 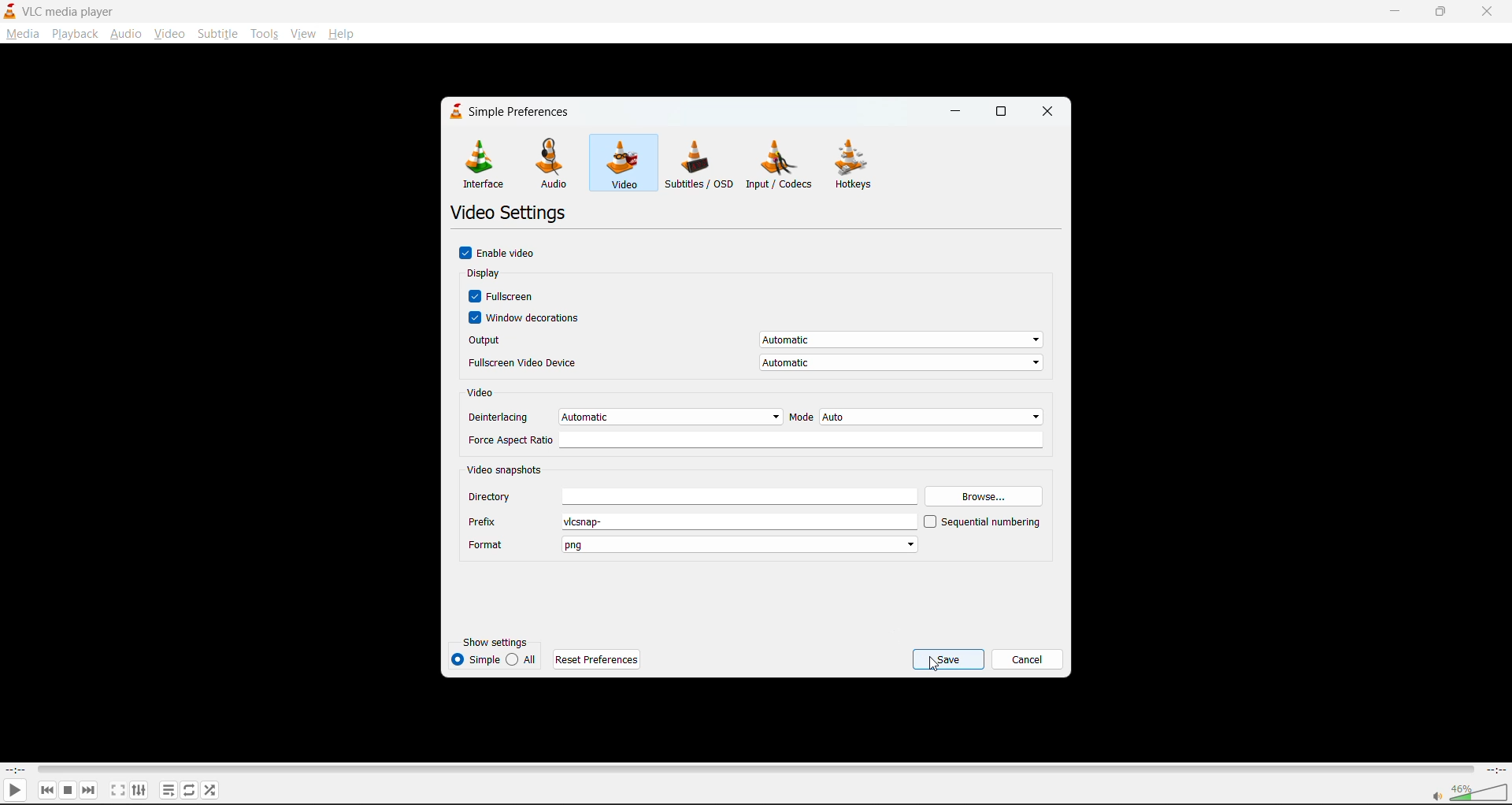 What do you see at coordinates (987, 494) in the screenshot?
I see `browse` at bounding box center [987, 494].